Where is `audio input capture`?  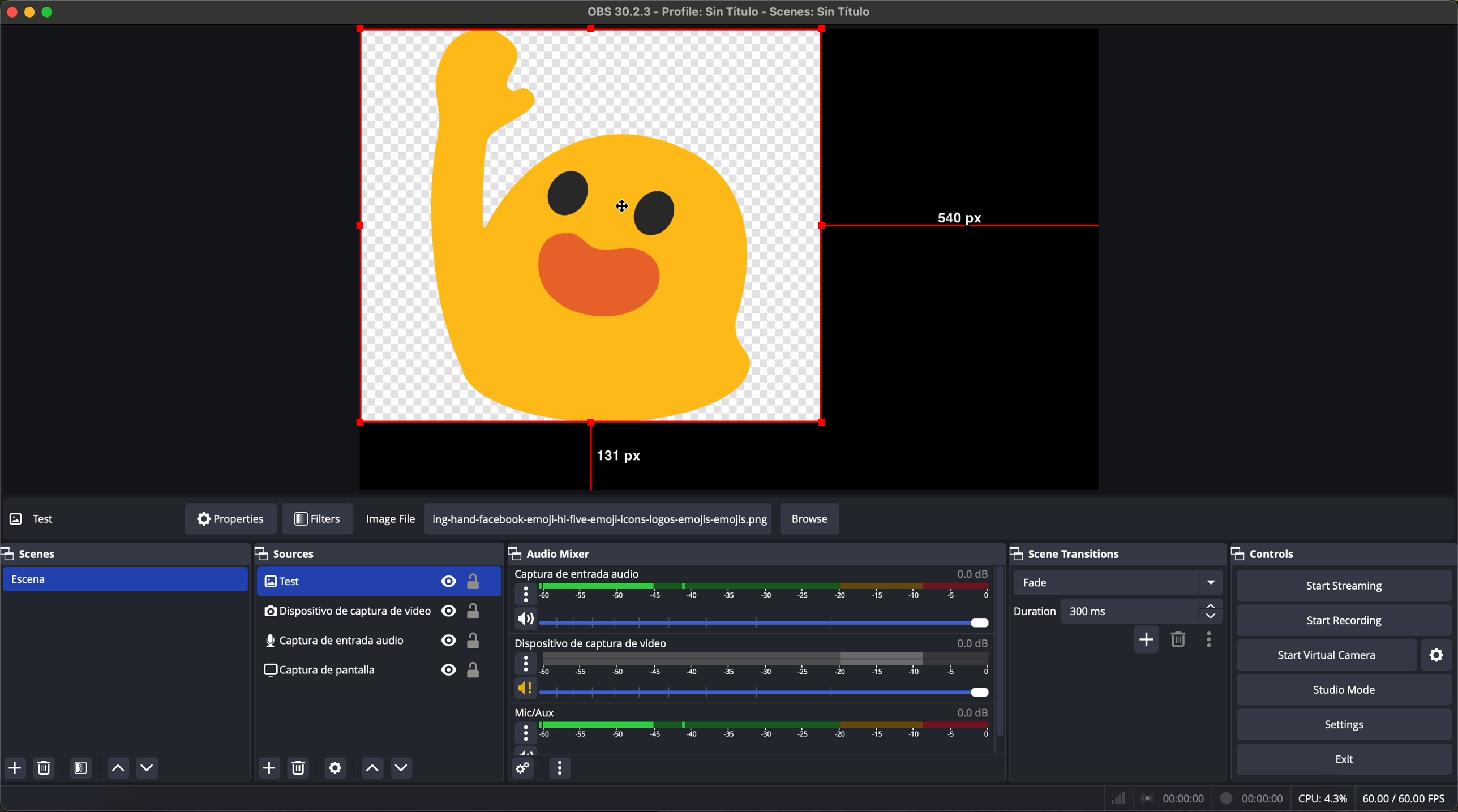
audio input capture is located at coordinates (373, 611).